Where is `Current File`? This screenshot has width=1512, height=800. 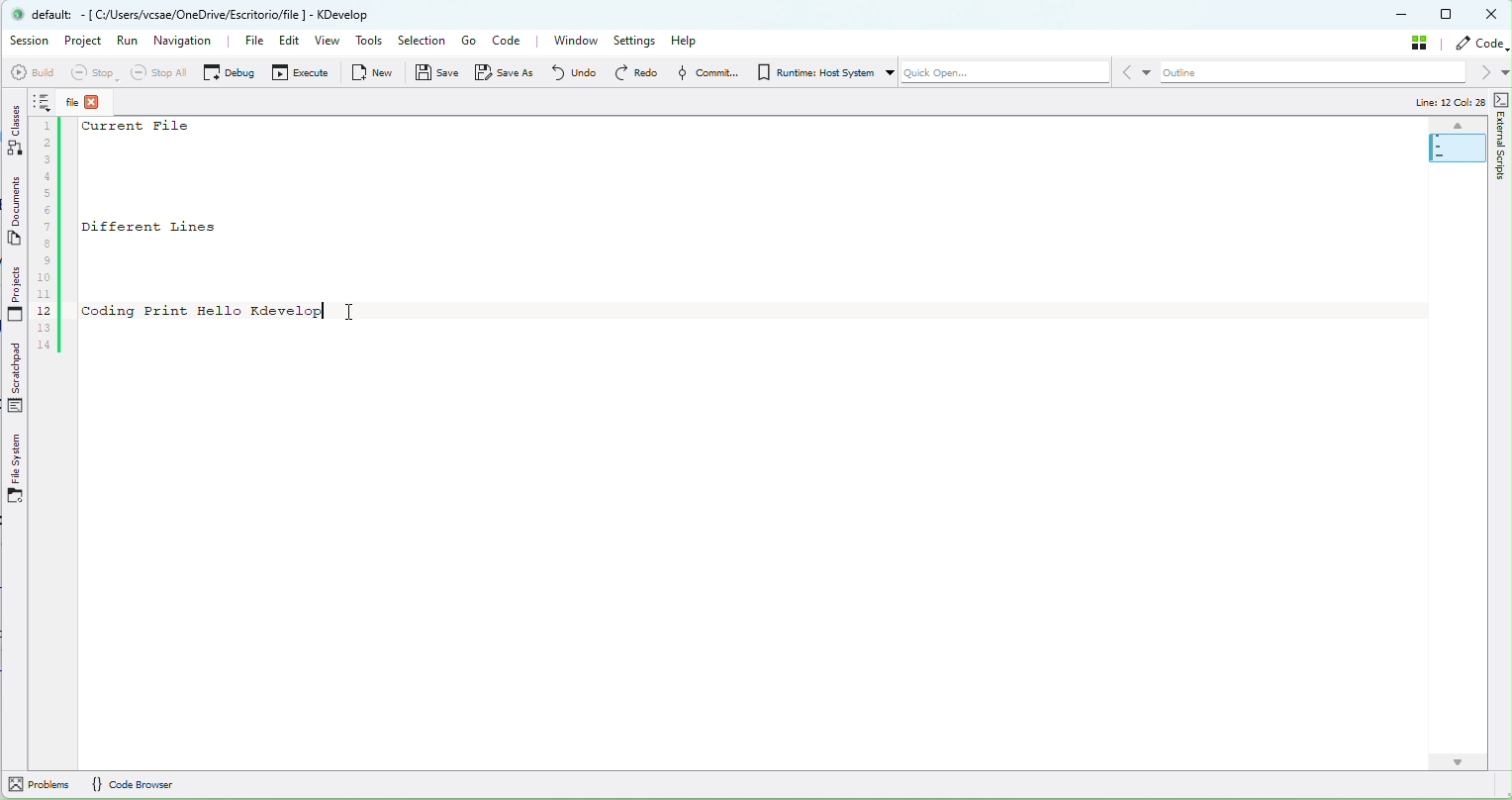
Current File is located at coordinates (141, 128).